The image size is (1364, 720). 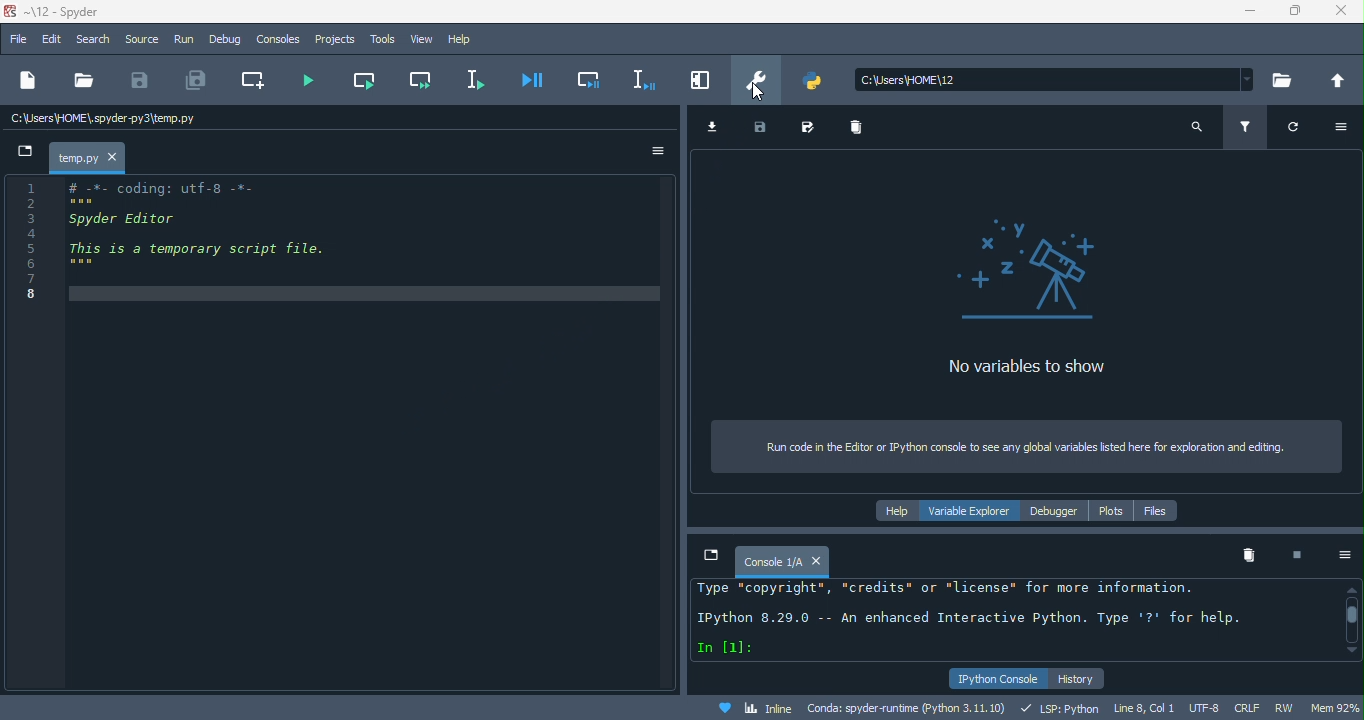 I want to click on crlf, so click(x=1251, y=707).